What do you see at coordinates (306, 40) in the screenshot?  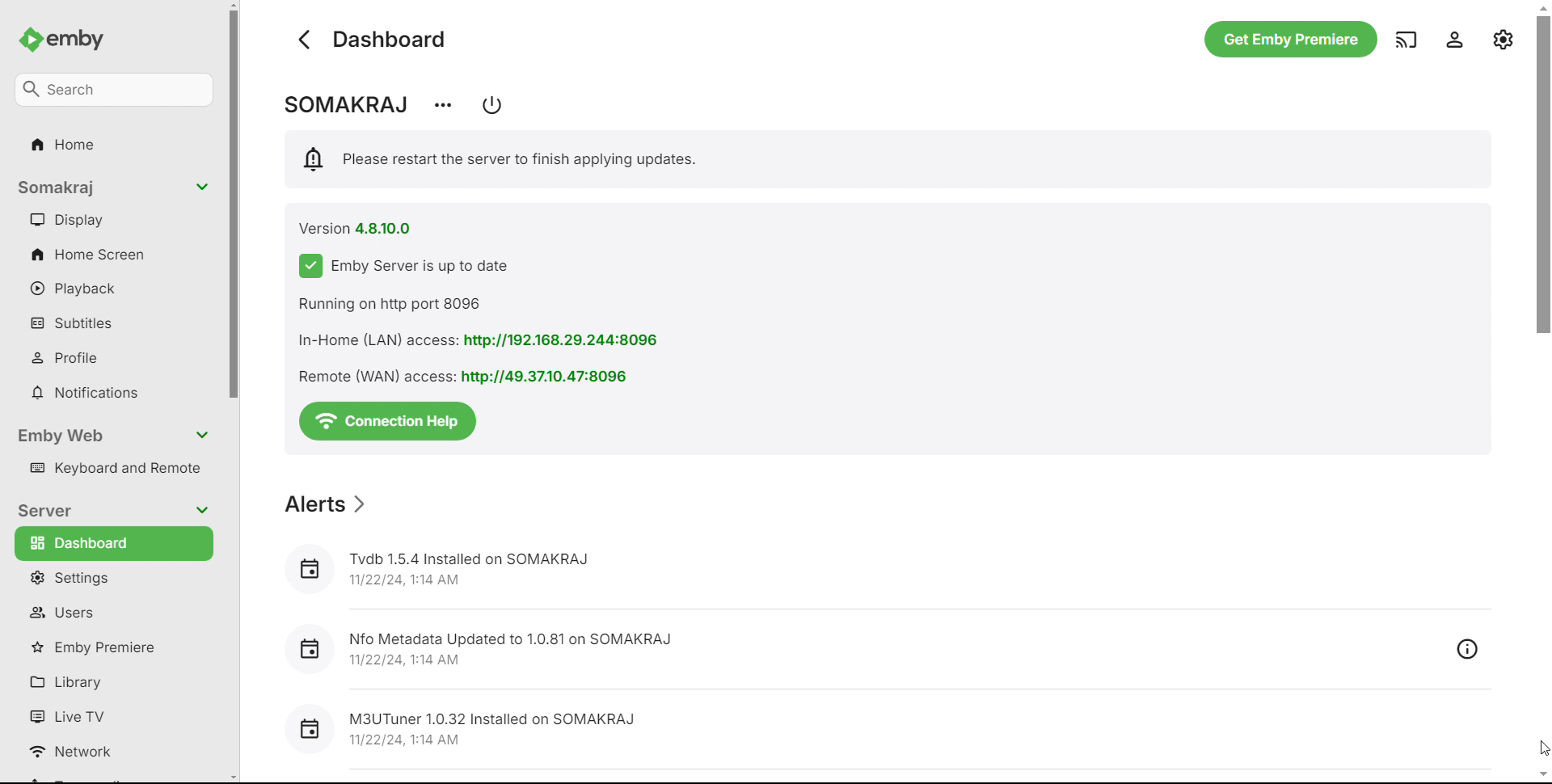 I see `go back to home` at bounding box center [306, 40].